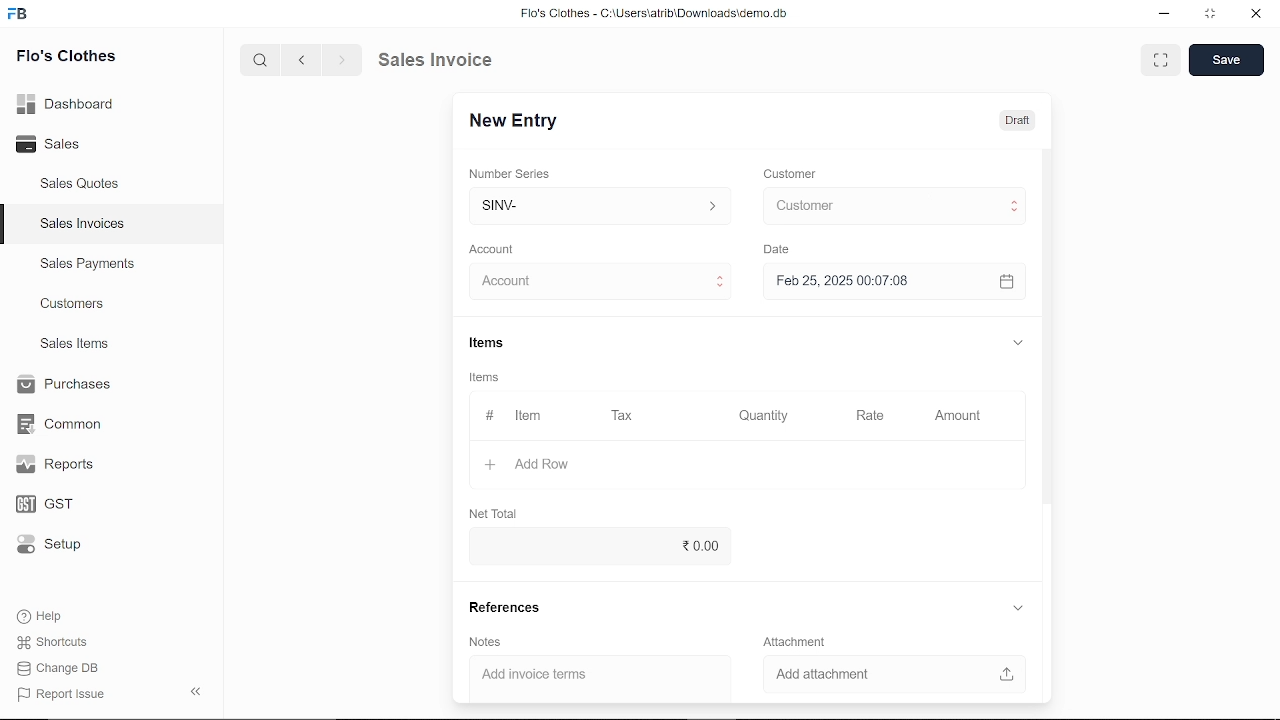 Image resolution: width=1280 pixels, height=720 pixels. Describe the element at coordinates (510, 173) in the screenshot. I see `‘Number Series` at that location.